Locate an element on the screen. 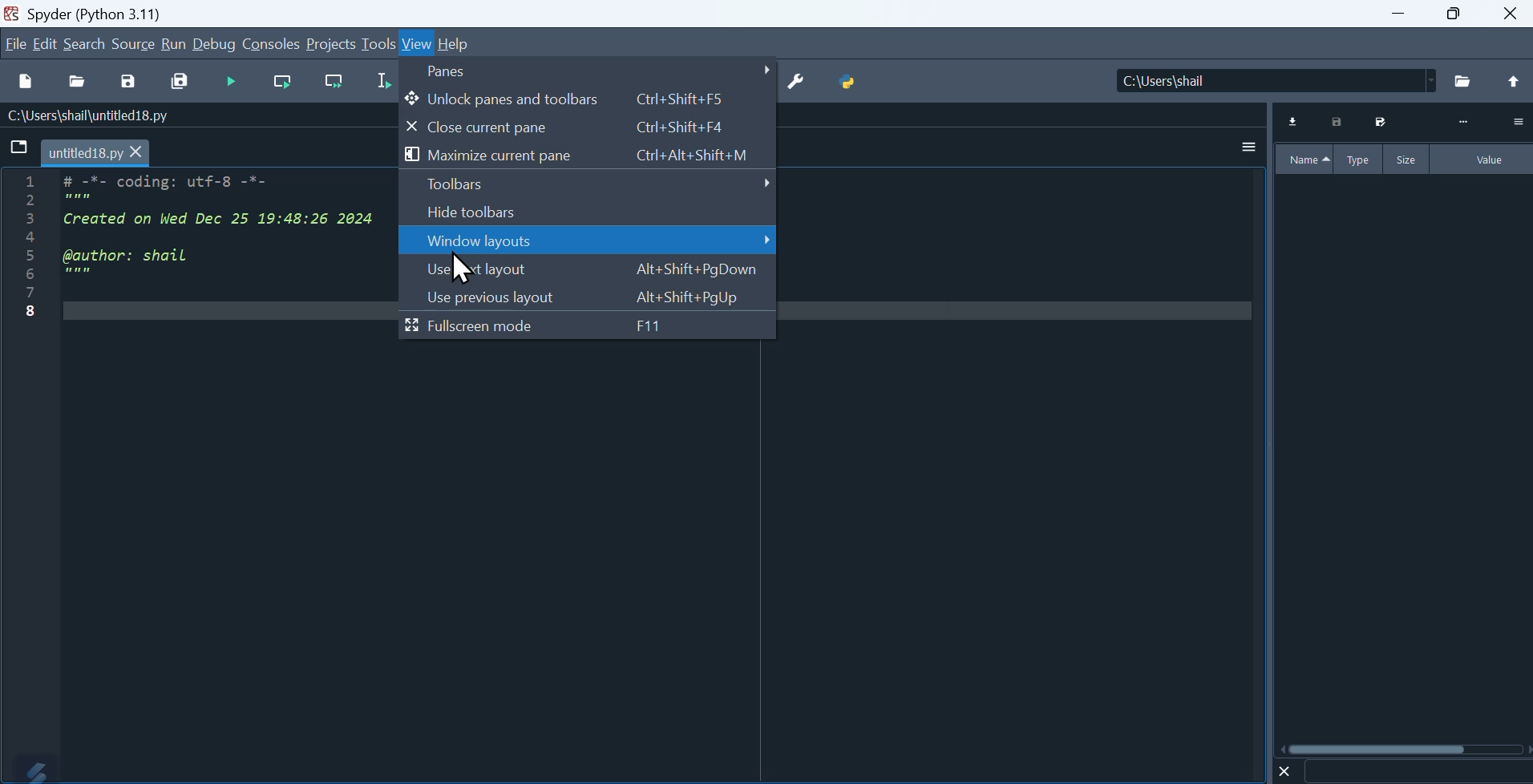 The image size is (1533, 784). Source is located at coordinates (134, 43).